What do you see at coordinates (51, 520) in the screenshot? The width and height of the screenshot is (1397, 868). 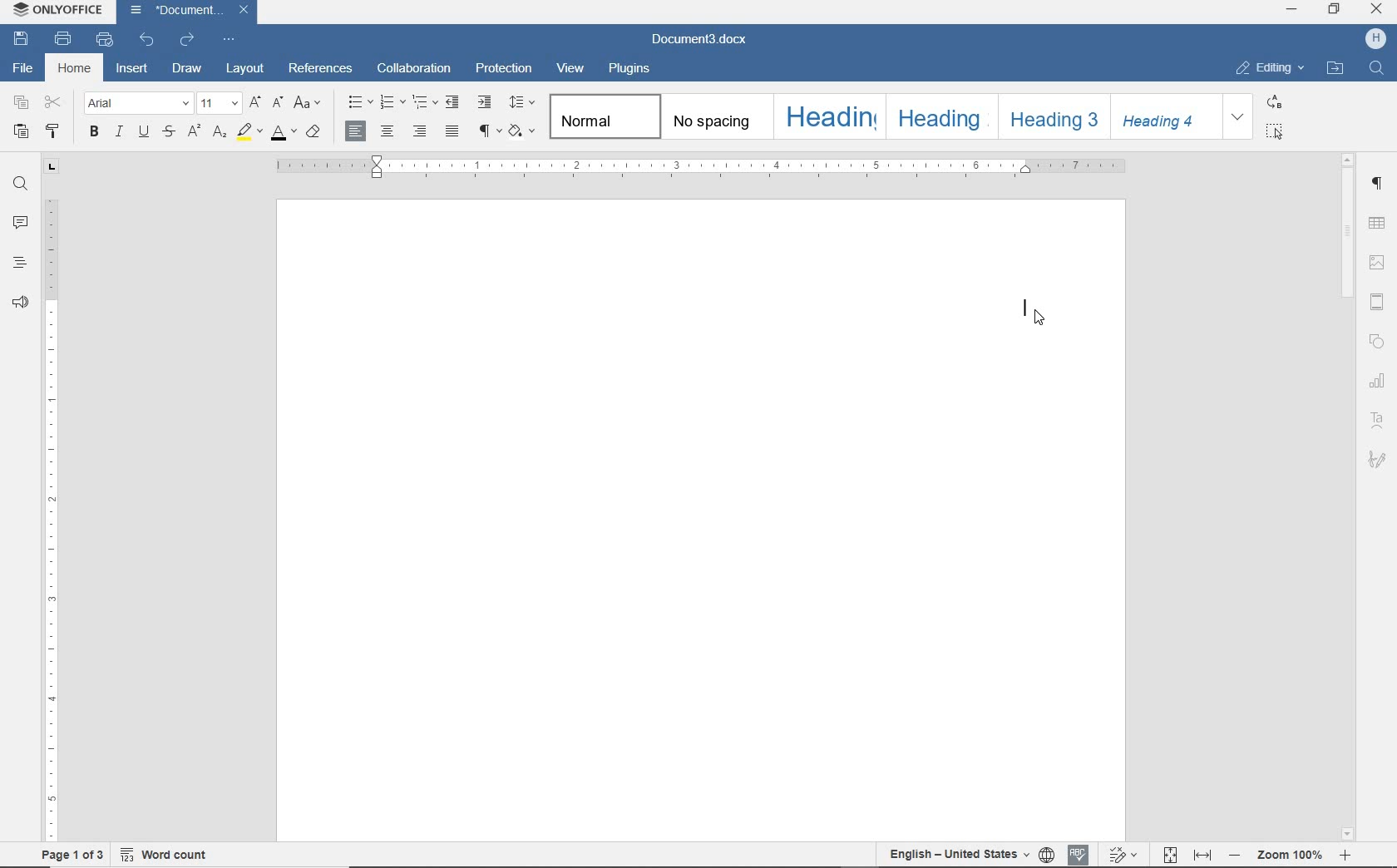 I see `RULER` at bounding box center [51, 520].